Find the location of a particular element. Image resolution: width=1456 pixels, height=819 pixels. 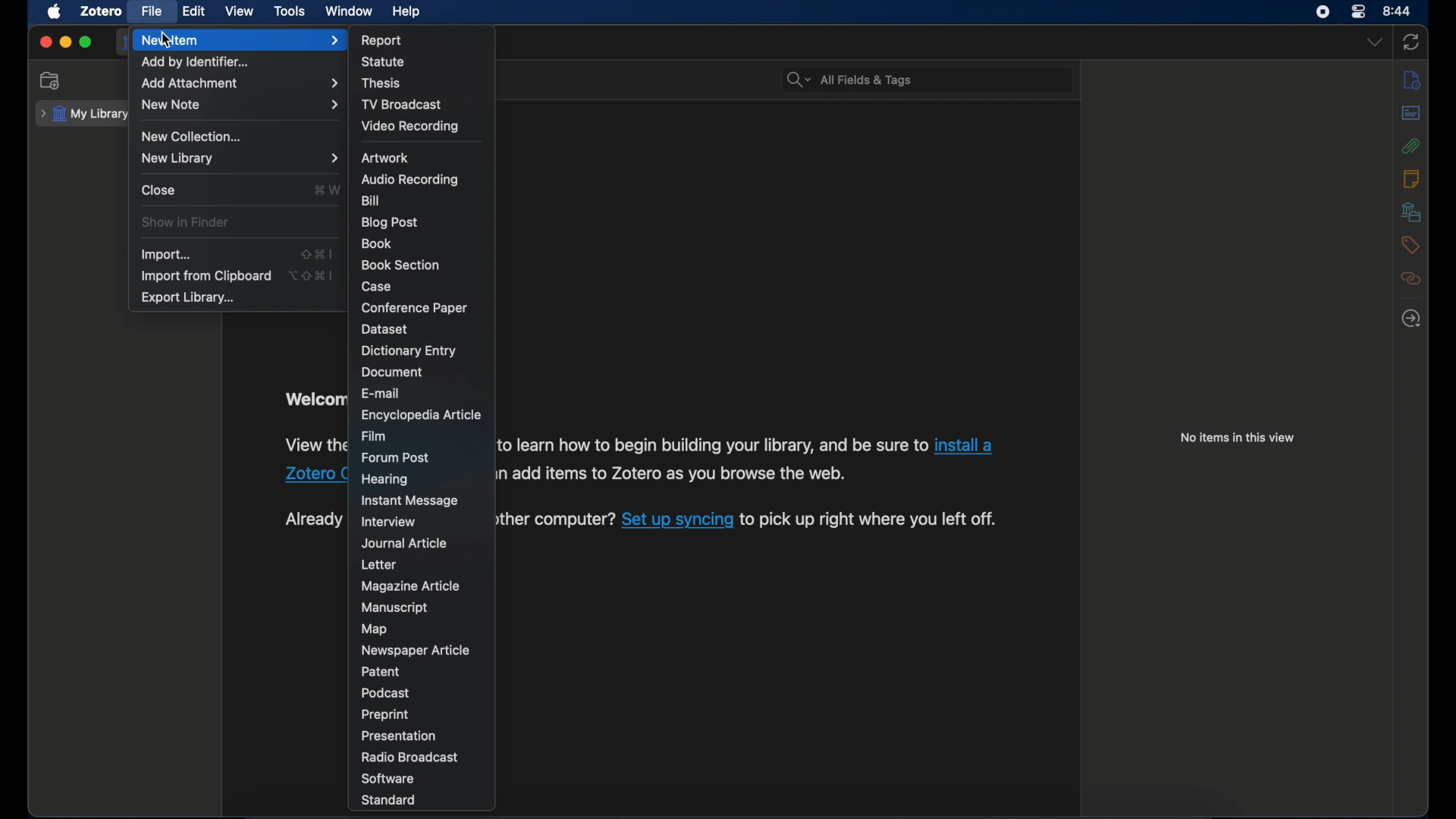

new collection is located at coordinates (52, 81).